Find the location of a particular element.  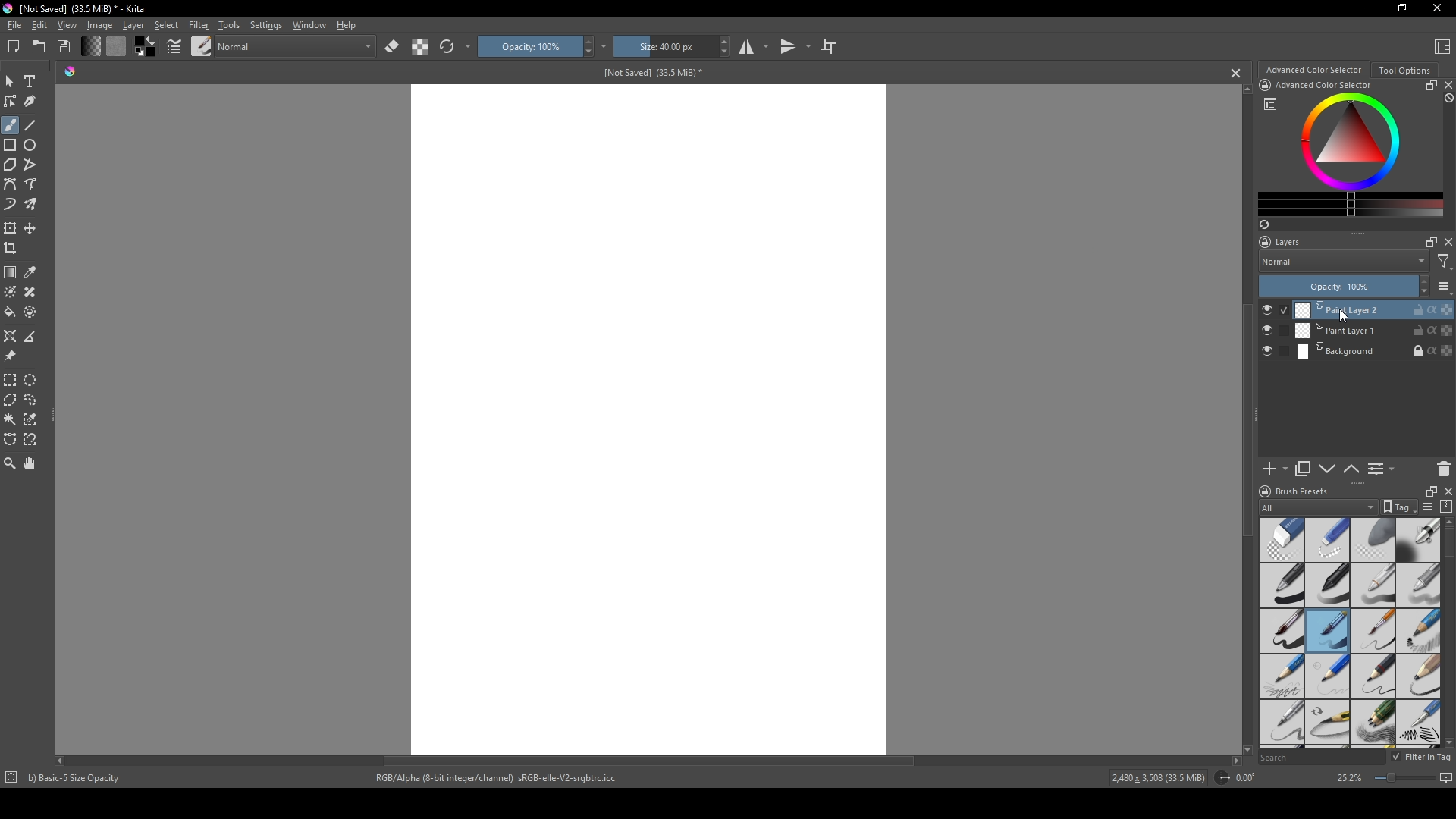

check button is located at coordinates (1274, 352).